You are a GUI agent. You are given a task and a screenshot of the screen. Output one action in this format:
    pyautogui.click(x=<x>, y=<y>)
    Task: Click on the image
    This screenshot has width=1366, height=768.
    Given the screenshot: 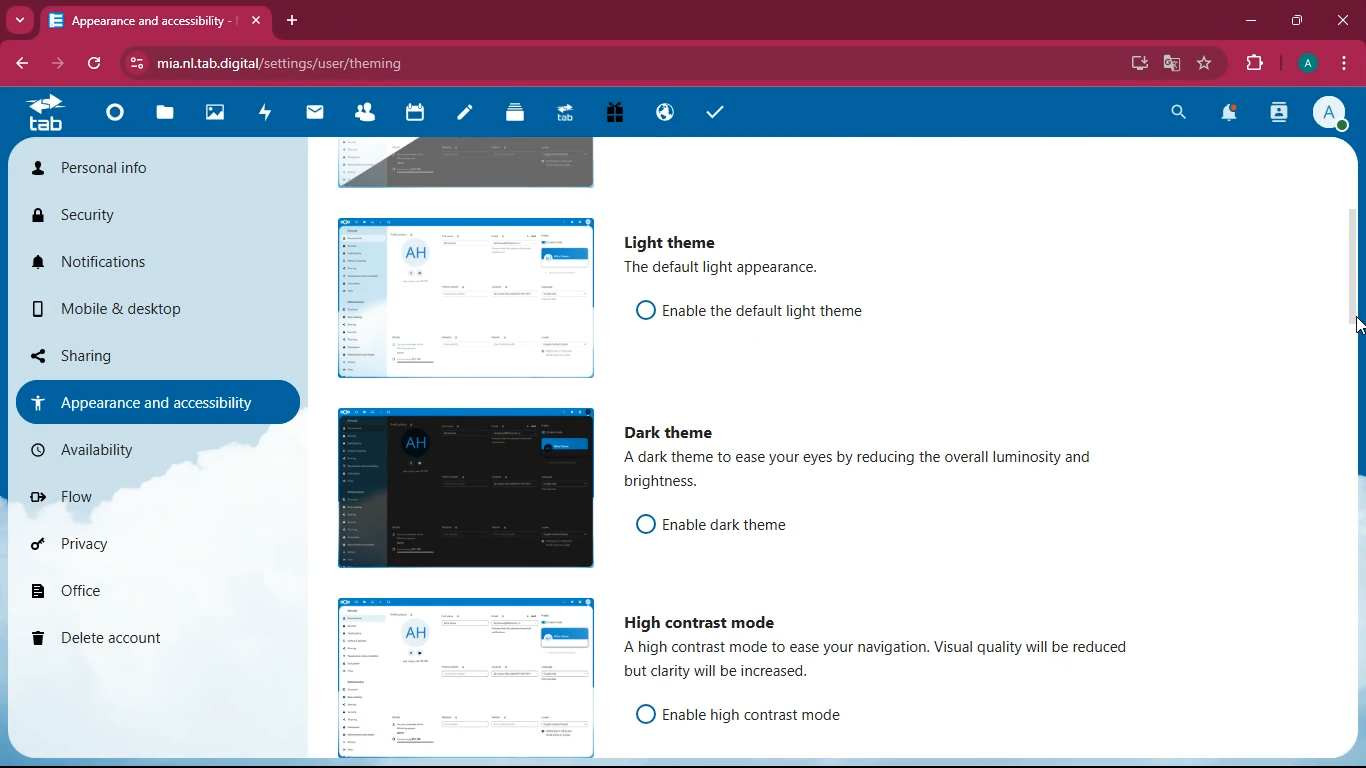 What is the action you would take?
    pyautogui.click(x=460, y=490)
    